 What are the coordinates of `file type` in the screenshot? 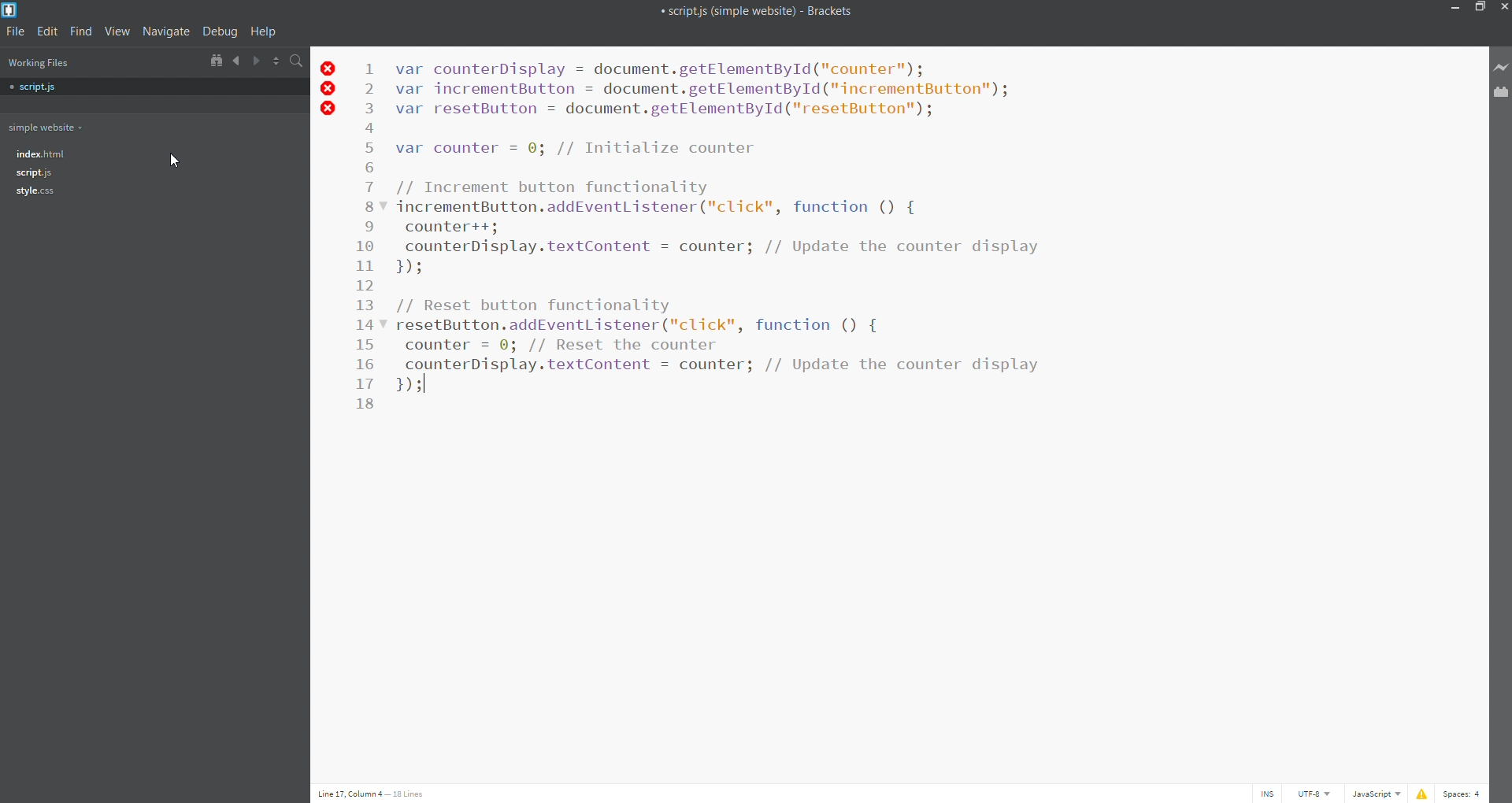 It's located at (1377, 794).